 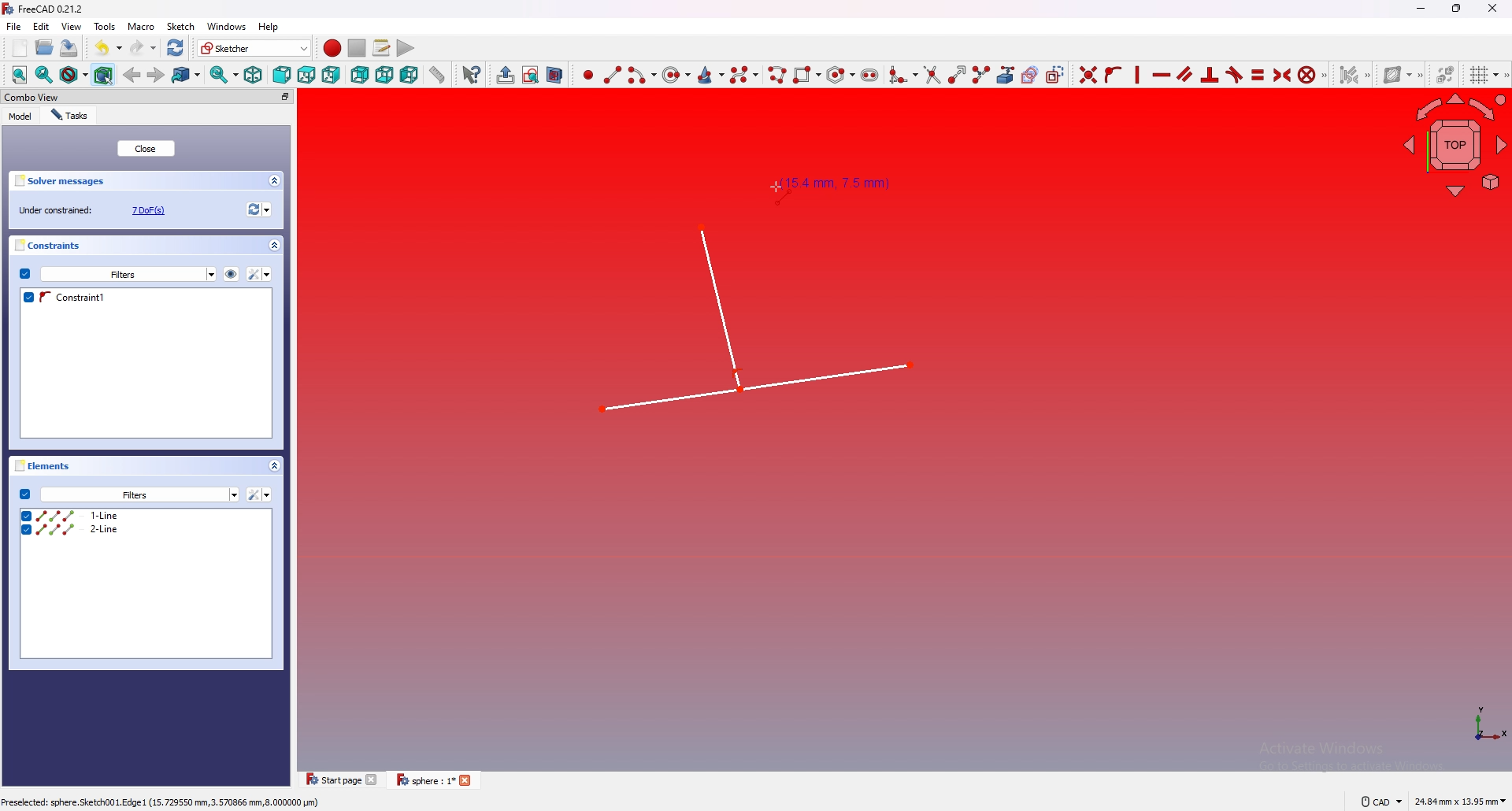 I want to click on Fit selection, so click(x=43, y=76).